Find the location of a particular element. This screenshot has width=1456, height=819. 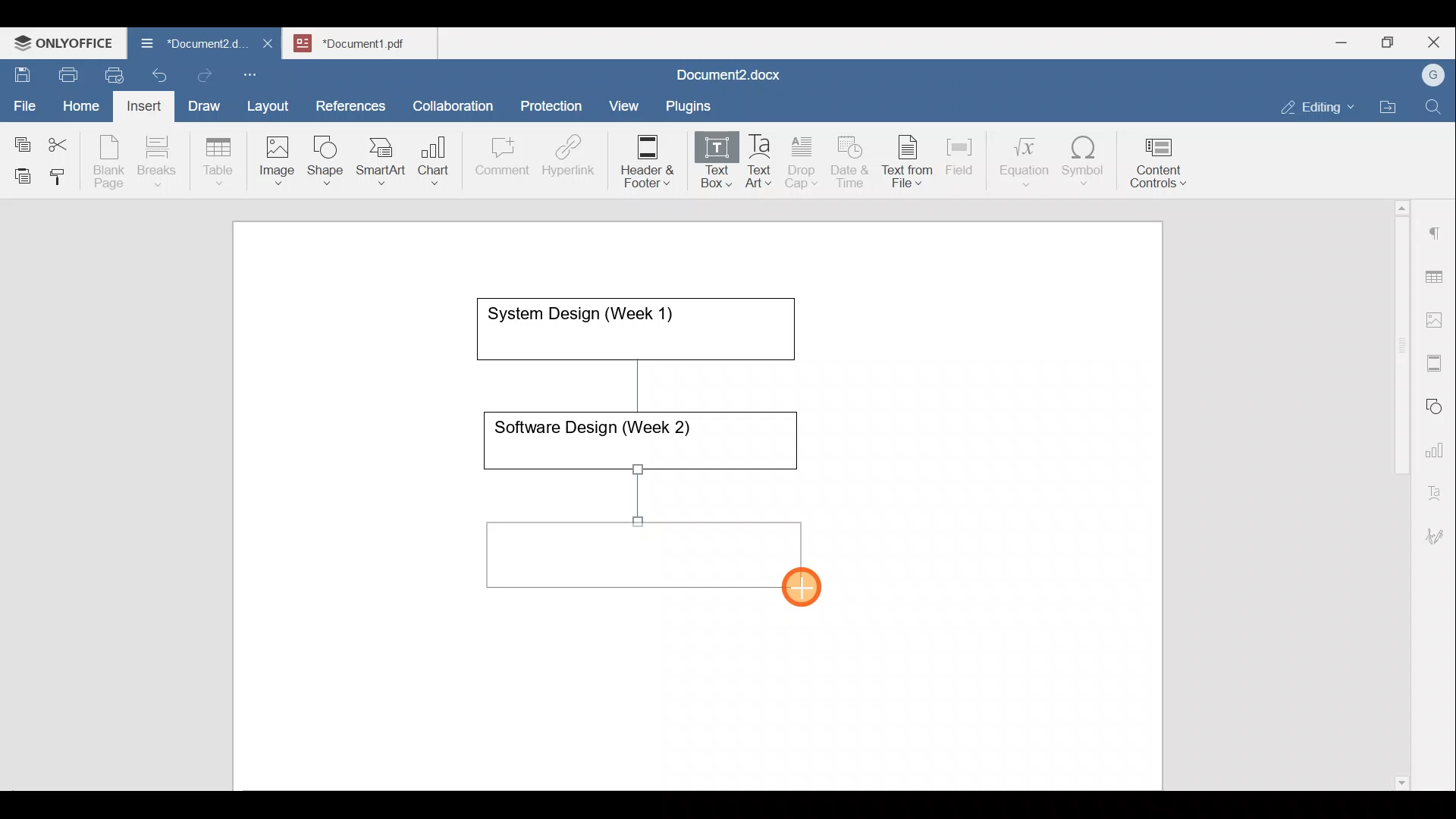

Signature settings is located at coordinates (1439, 531).